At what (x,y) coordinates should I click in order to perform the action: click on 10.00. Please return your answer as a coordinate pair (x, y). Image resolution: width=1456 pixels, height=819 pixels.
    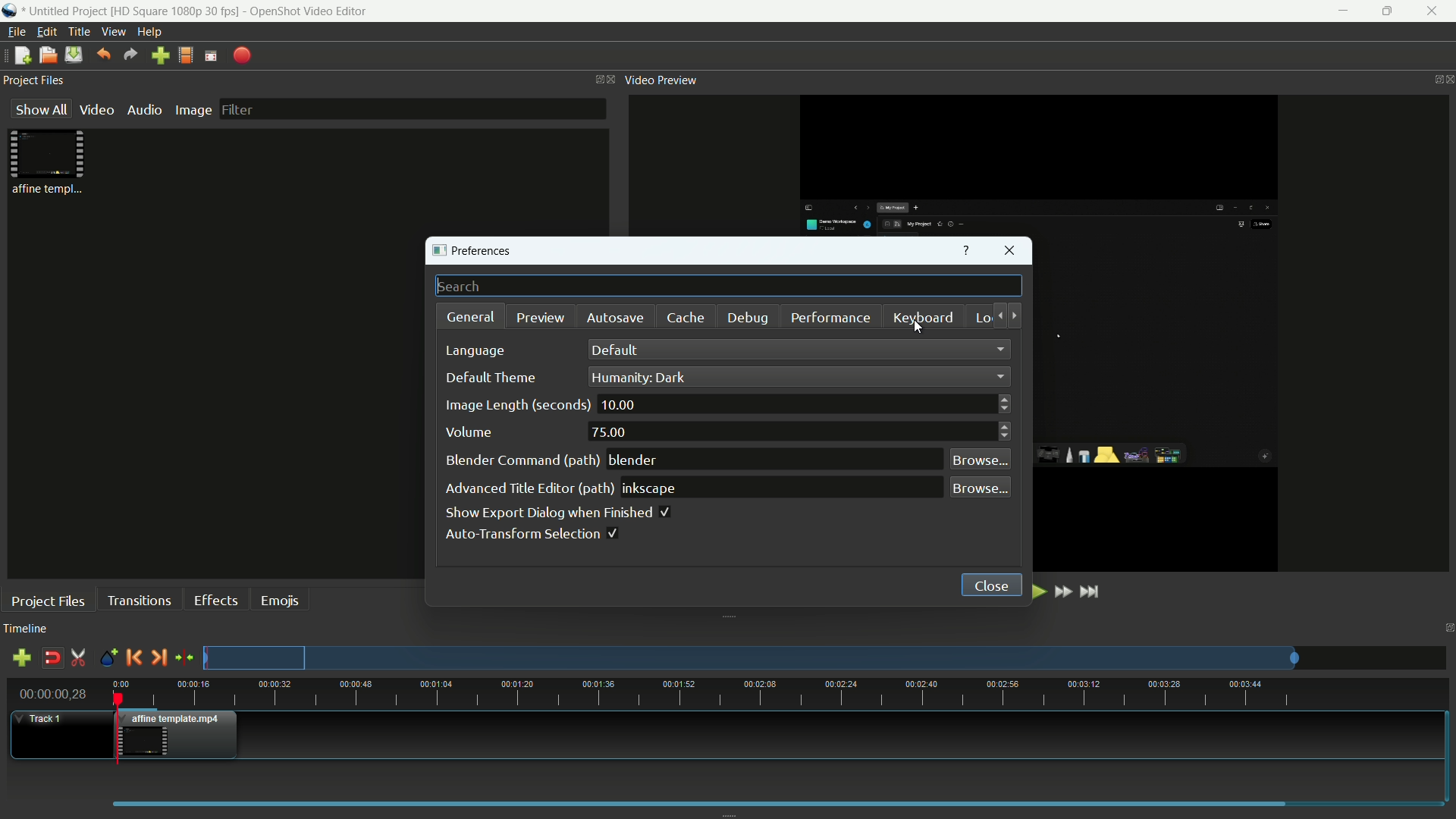
    Looking at the image, I should click on (617, 403).